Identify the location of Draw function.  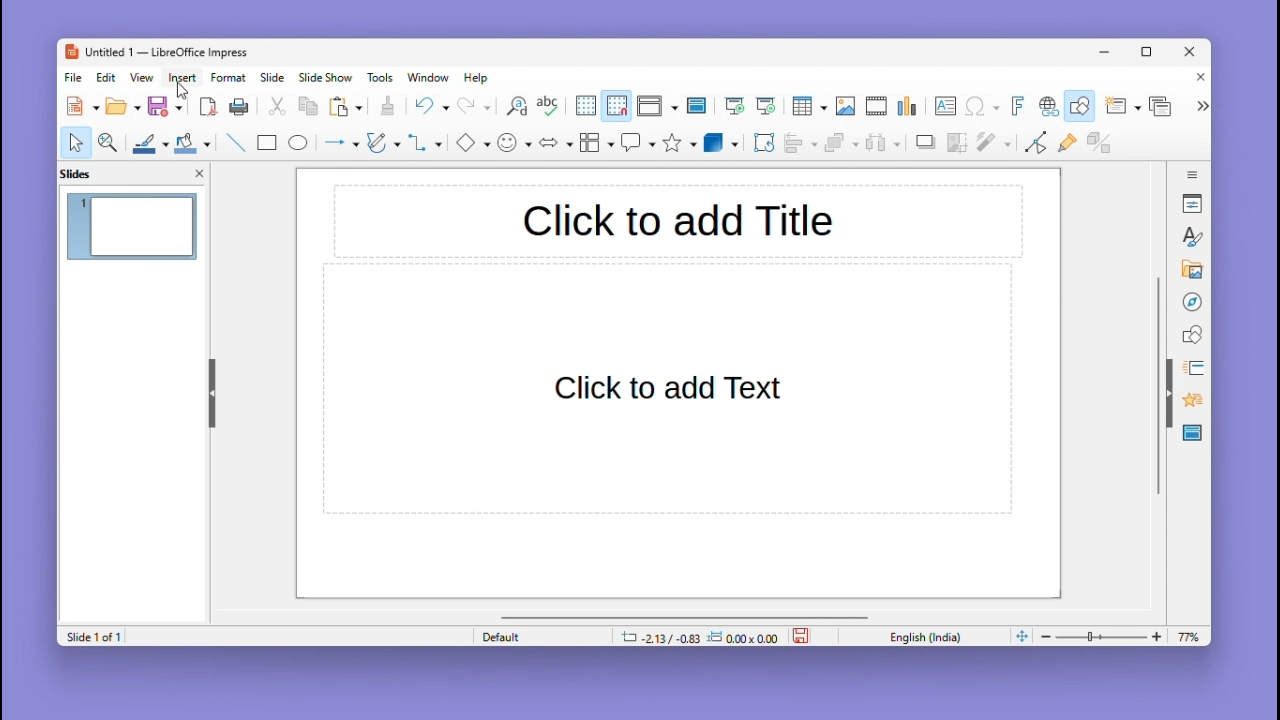
(1082, 106).